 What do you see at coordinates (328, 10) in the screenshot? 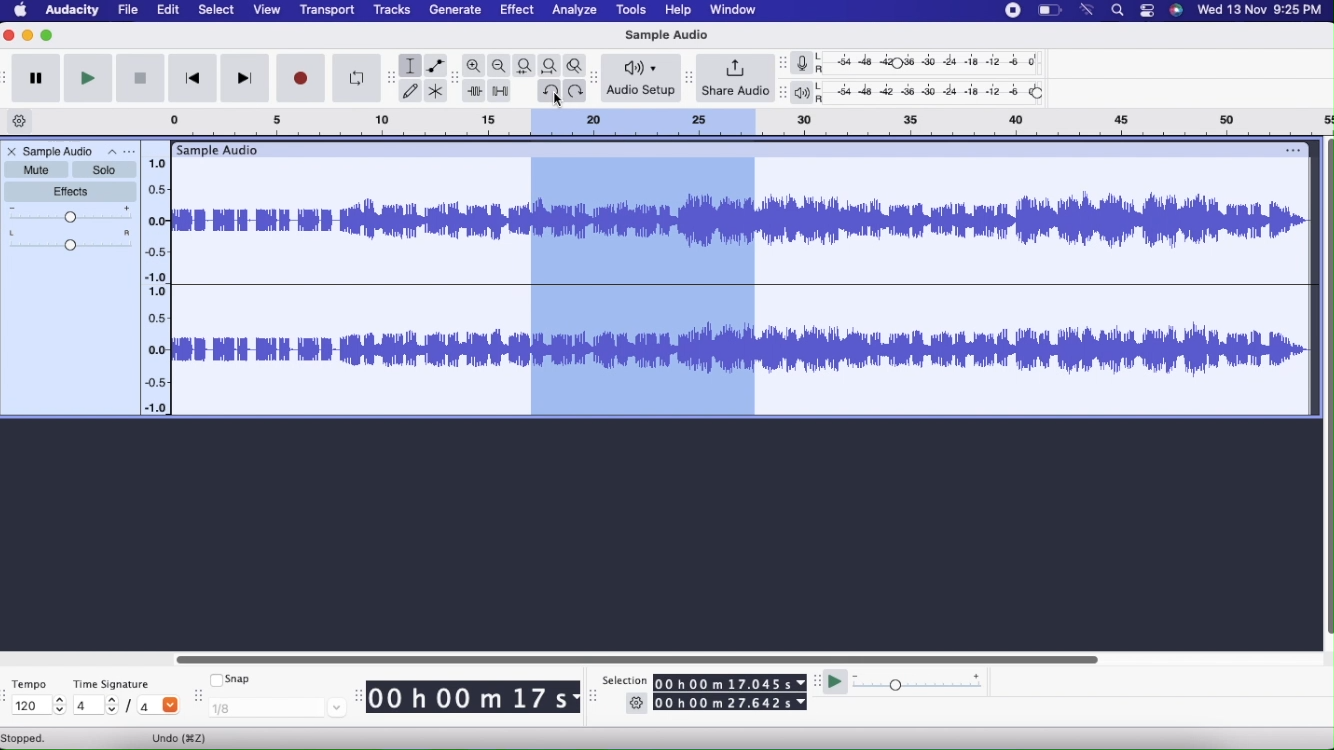
I see `Transport` at bounding box center [328, 10].